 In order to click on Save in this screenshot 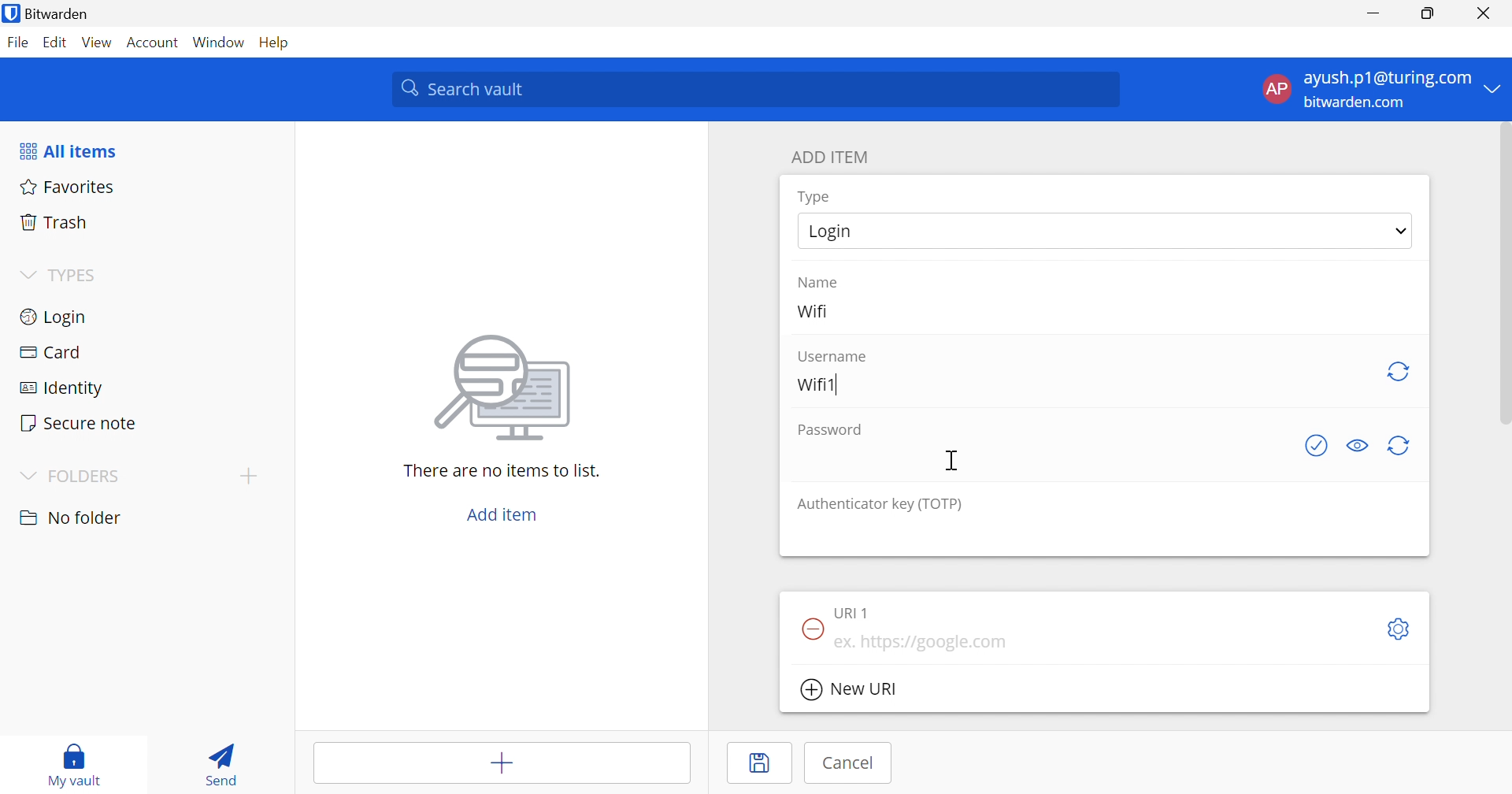, I will do `click(762, 763)`.